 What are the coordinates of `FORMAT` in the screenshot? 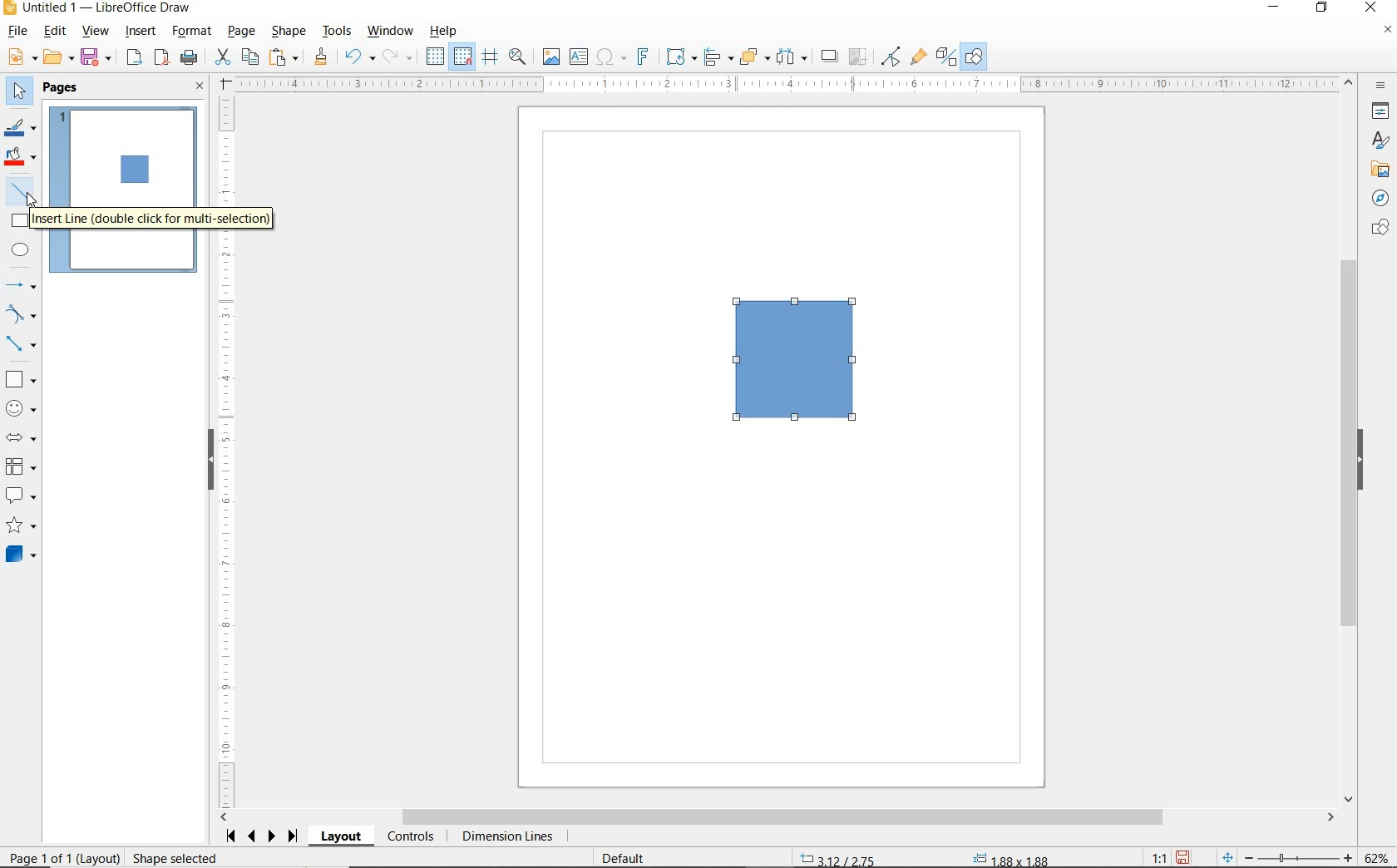 It's located at (192, 32).